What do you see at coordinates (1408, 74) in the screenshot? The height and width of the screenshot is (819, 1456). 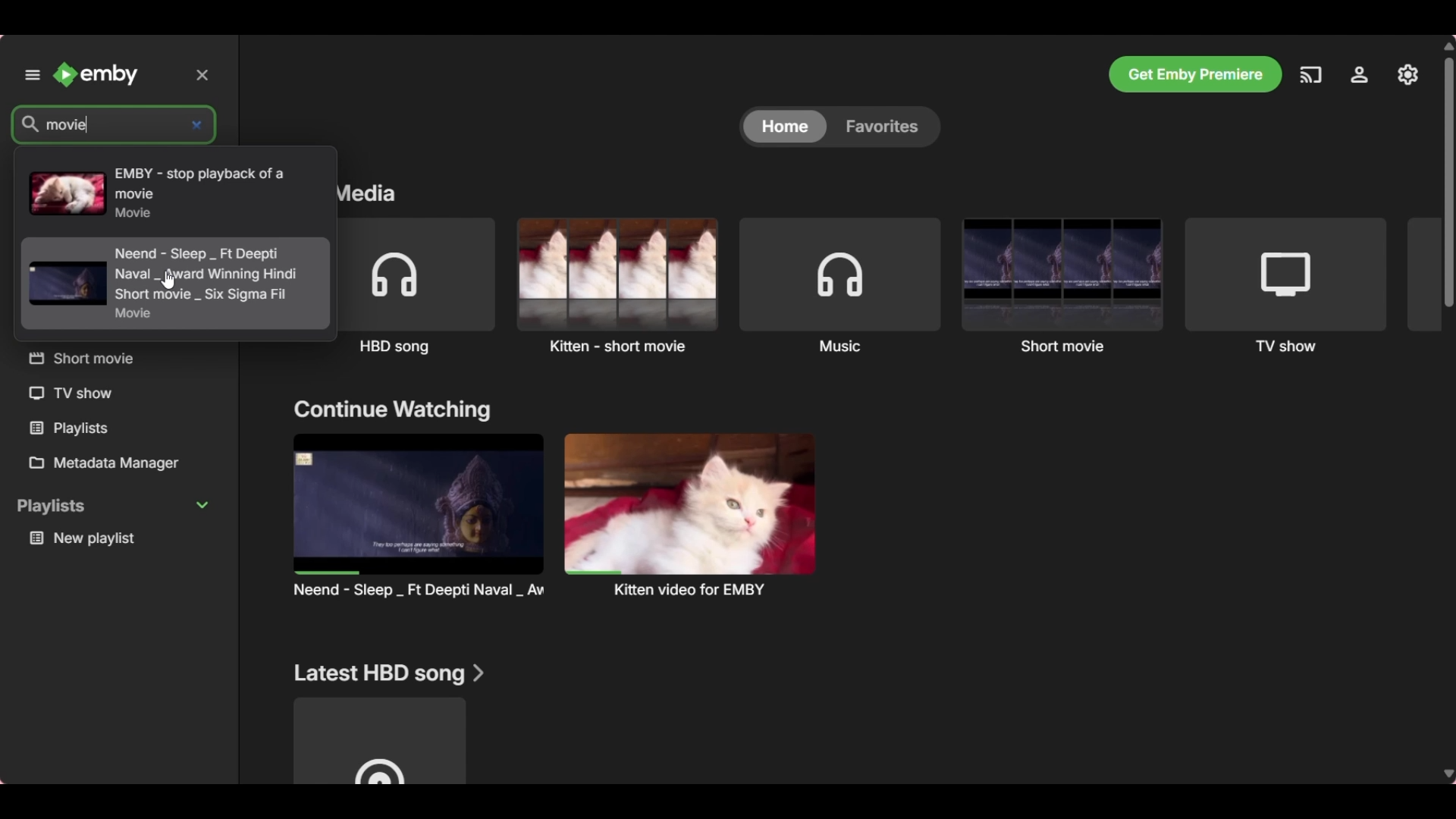 I see `Manage Emby server` at bounding box center [1408, 74].